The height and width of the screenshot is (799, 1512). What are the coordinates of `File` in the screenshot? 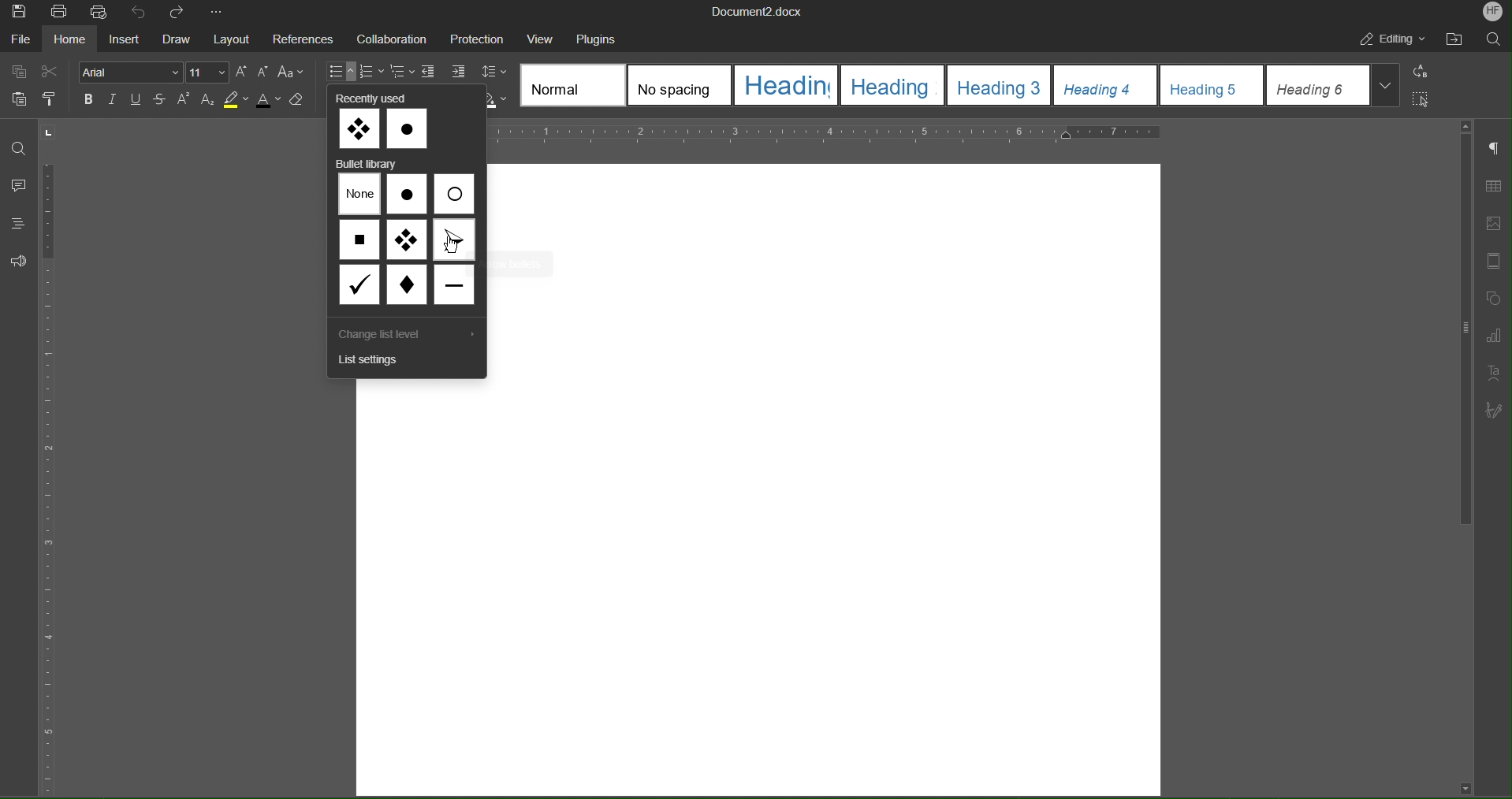 It's located at (22, 41).